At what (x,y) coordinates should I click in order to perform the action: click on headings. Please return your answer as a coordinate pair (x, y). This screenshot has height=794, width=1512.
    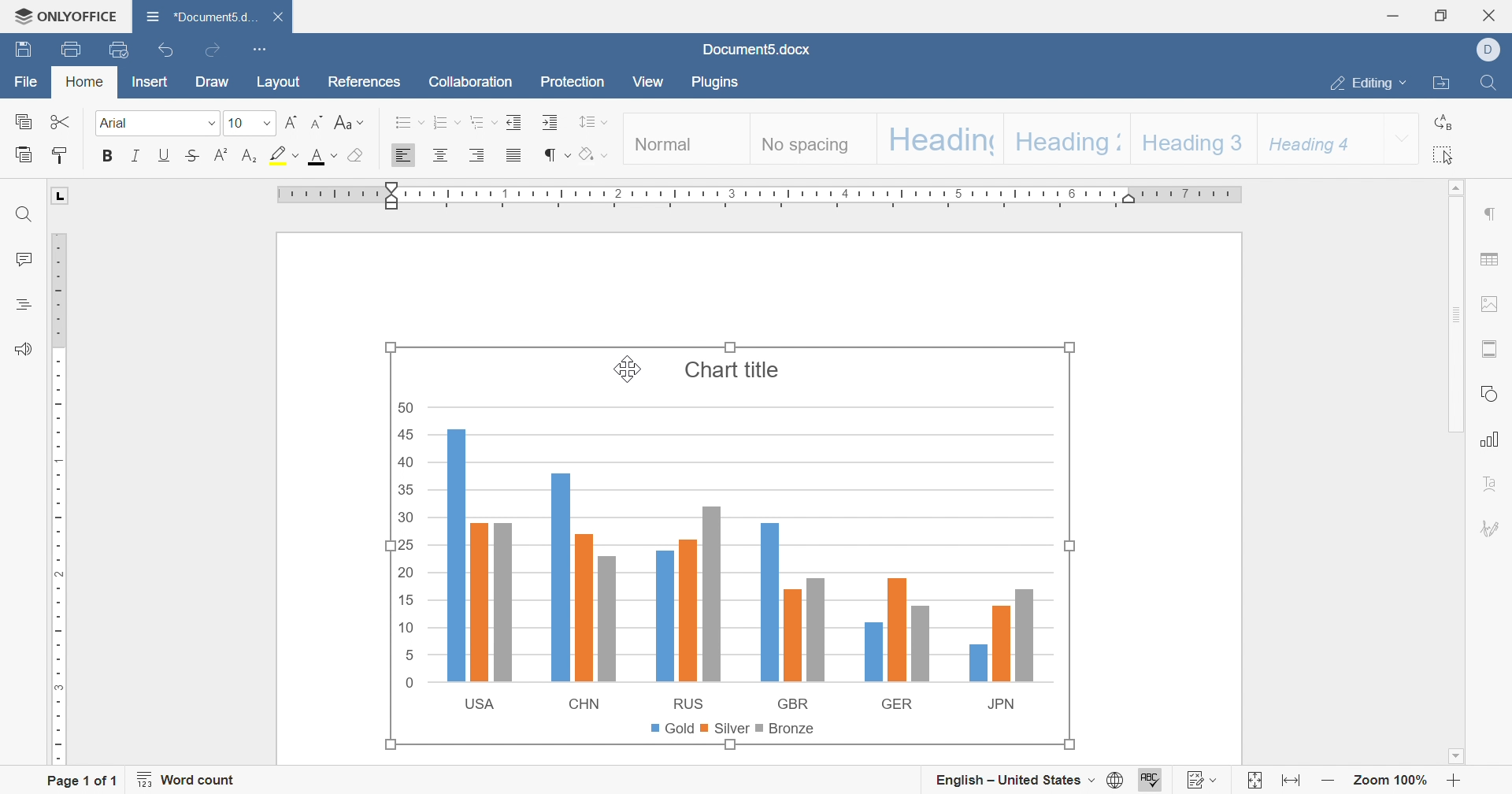
    Looking at the image, I should click on (24, 305).